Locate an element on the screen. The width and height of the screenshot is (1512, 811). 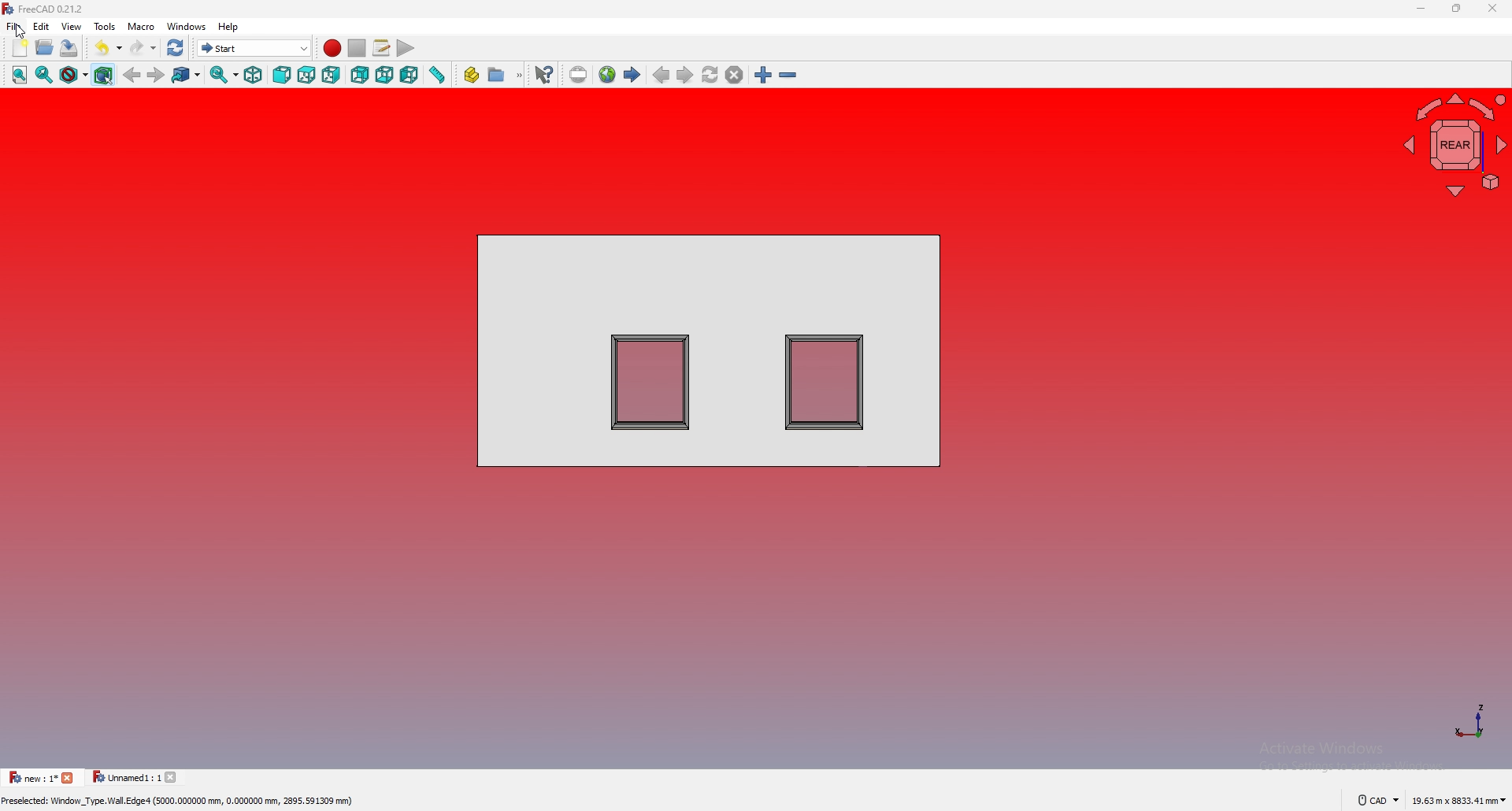
close is located at coordinates (1492, 8).